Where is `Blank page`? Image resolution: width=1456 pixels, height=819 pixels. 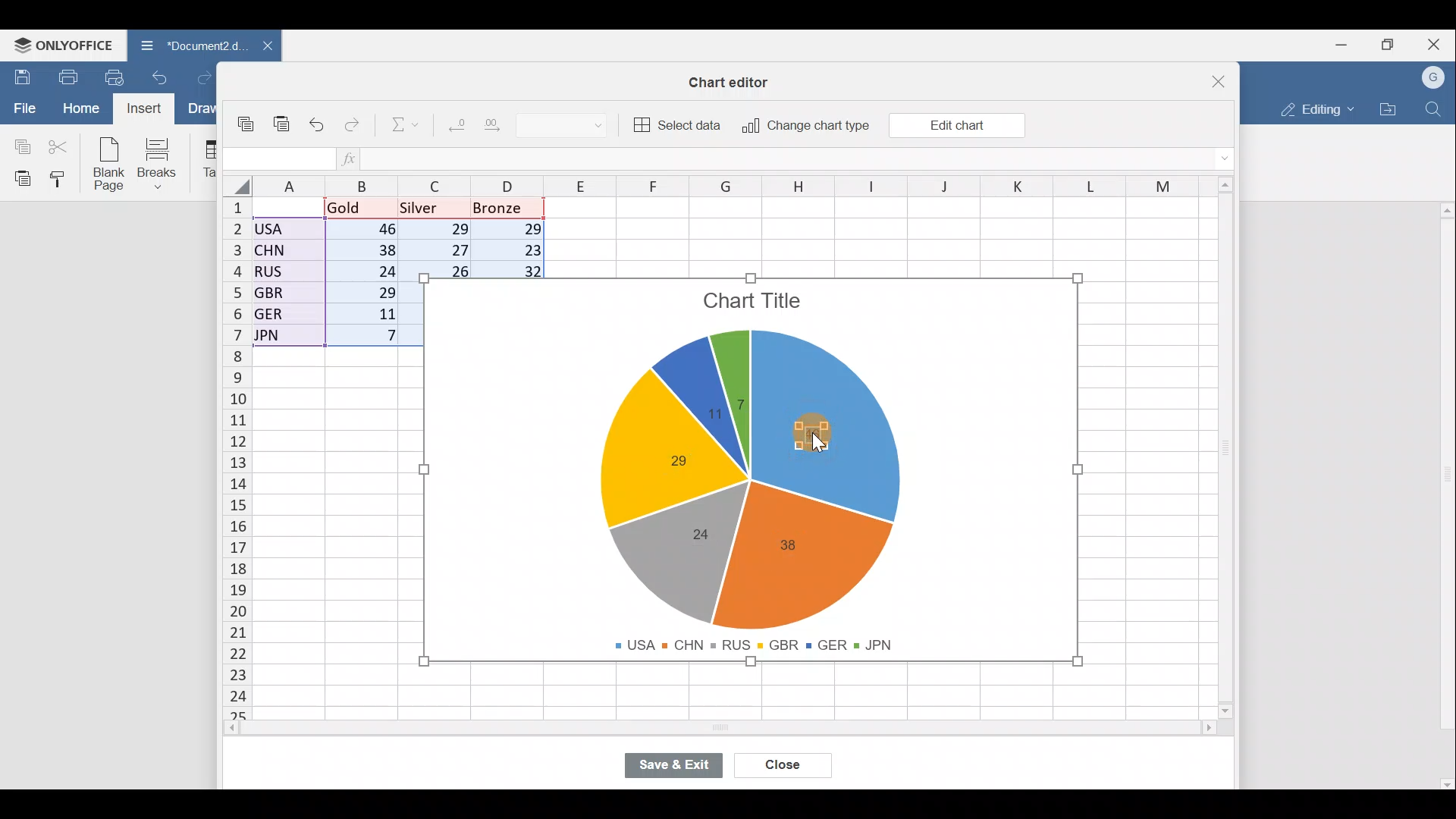
Blank page is located at coordinates (105, 162).